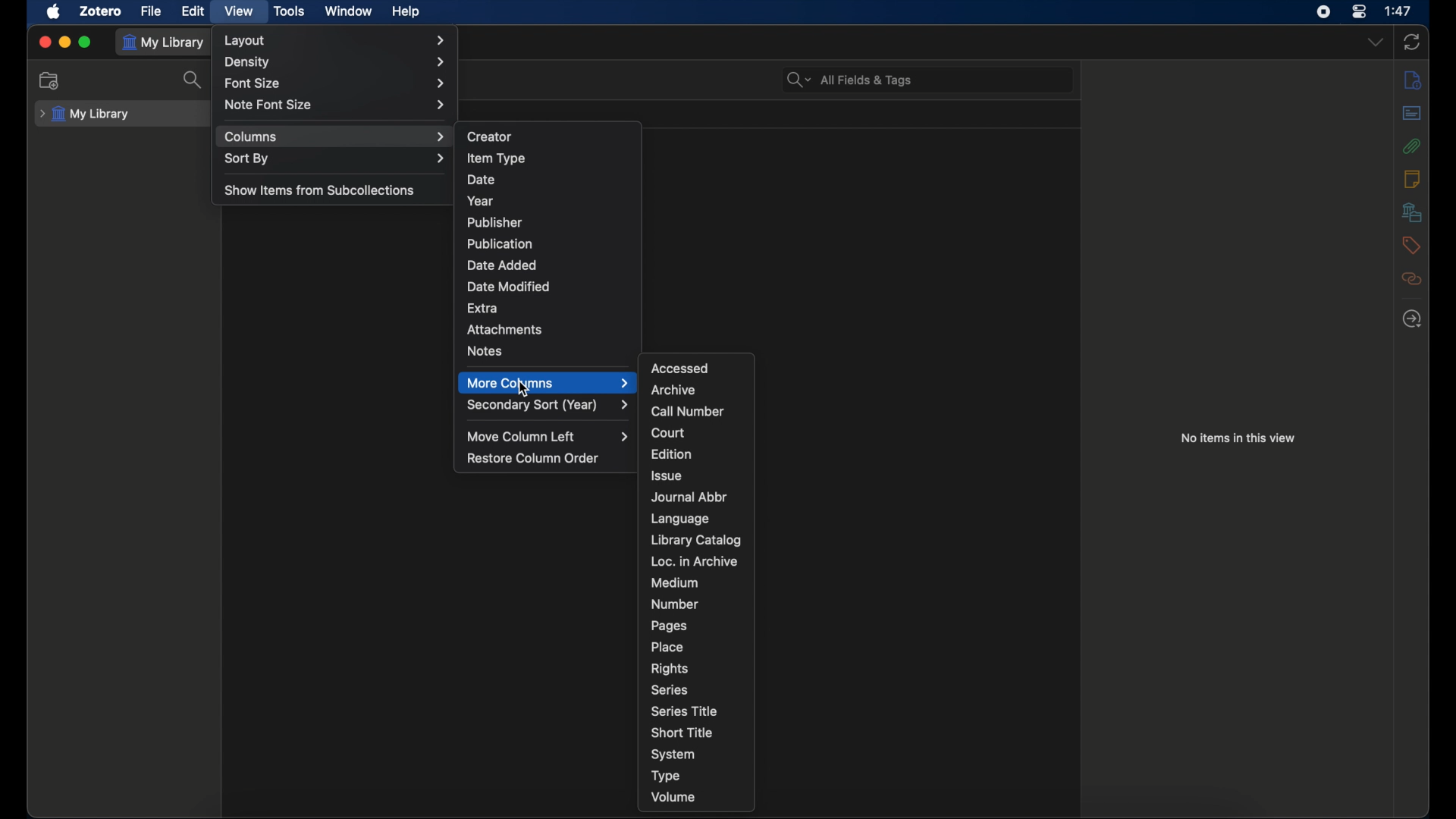 The height and width of the screenshot is (819, 1456). I want to click on publication, so click(501, 243).